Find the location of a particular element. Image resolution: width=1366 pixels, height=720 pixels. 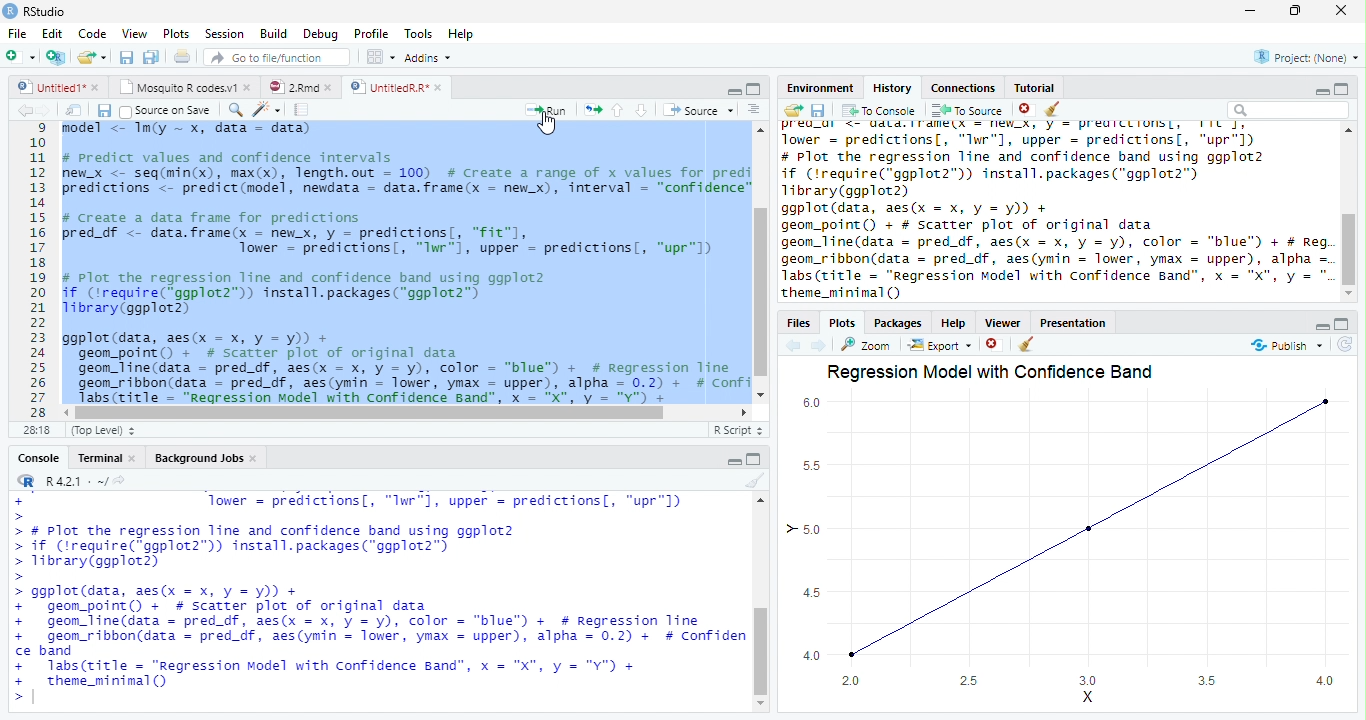

11121311s161718192021223225262728 is located at coordinates (38, 278).